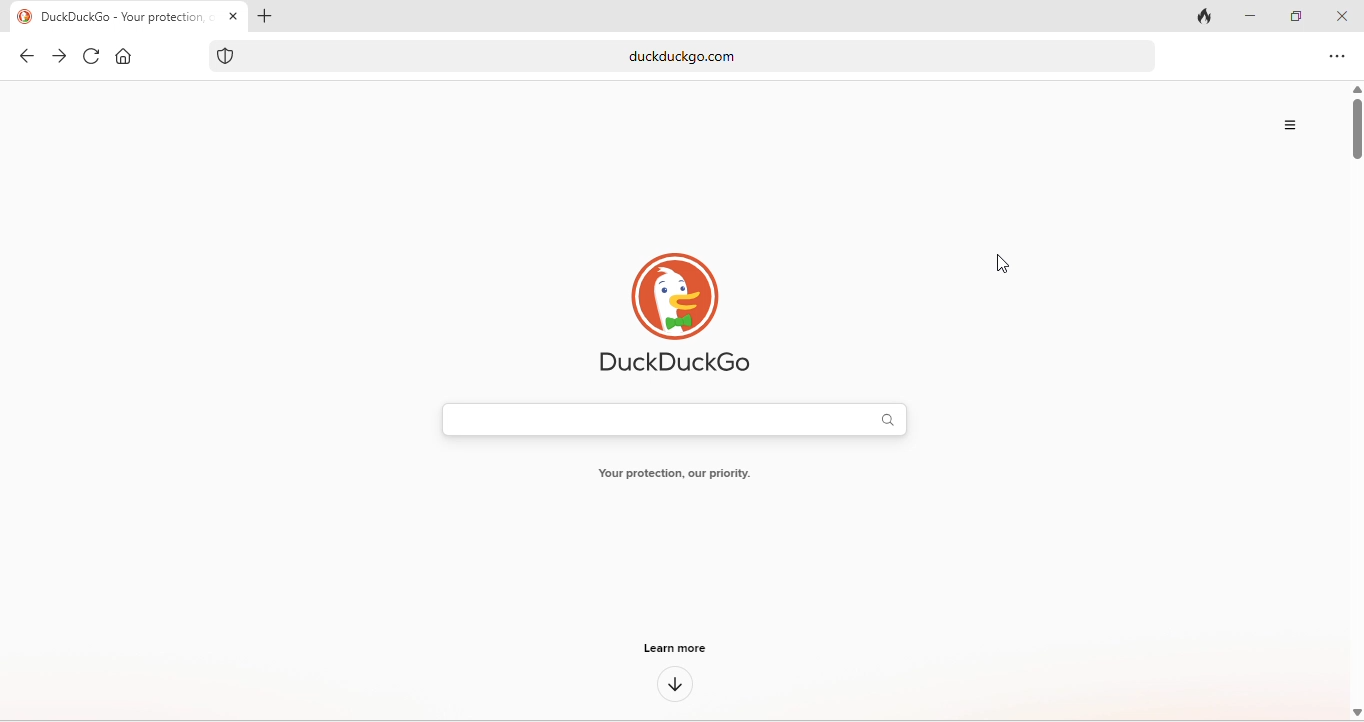 Image resolution: width=1364 pixels, height=722 pixels. I want to click on back, so click(21, 57).